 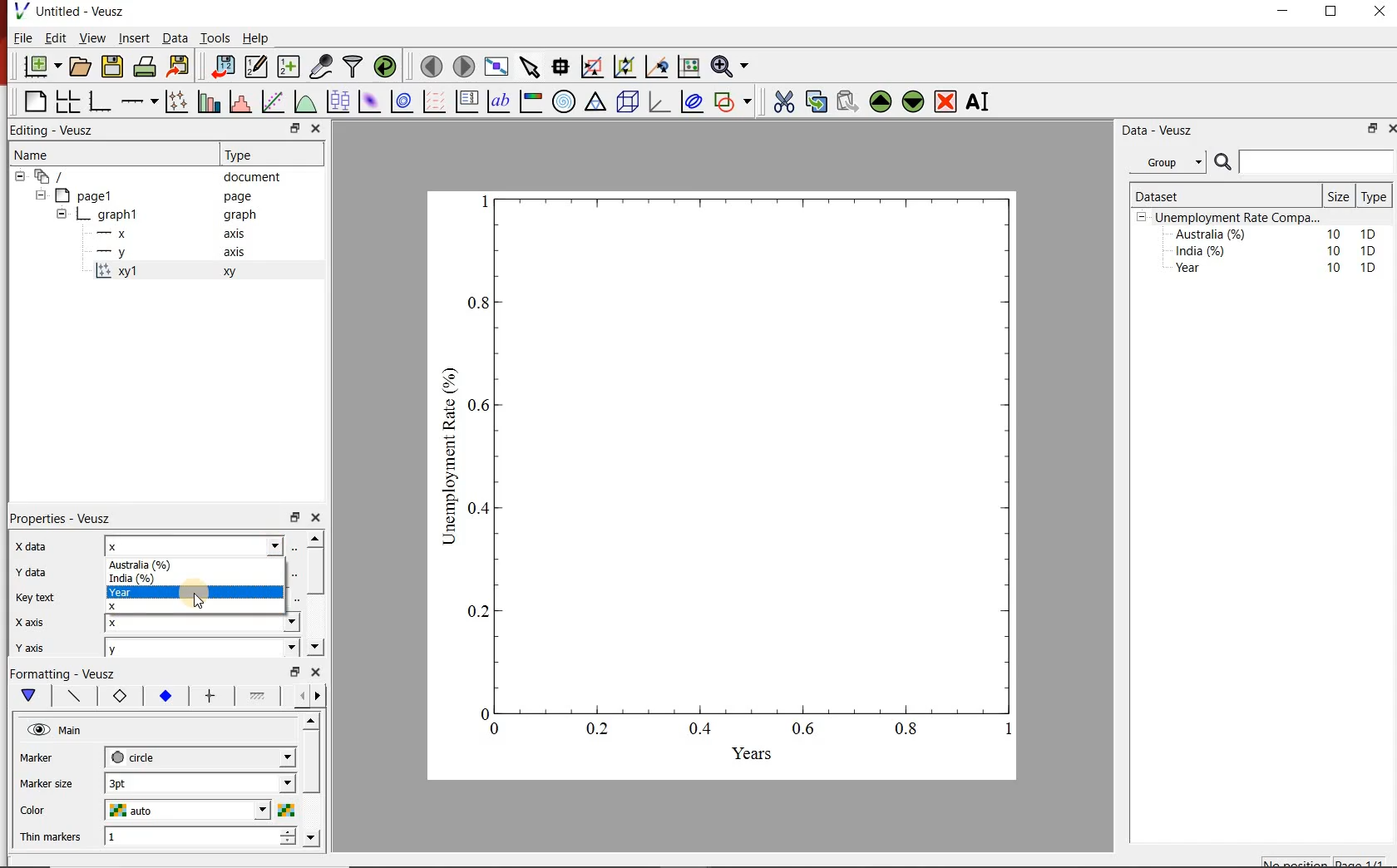 What do you see at coordinates (43, 66) in the screenshot?
I see `new document` at bounding box center [43, 66].